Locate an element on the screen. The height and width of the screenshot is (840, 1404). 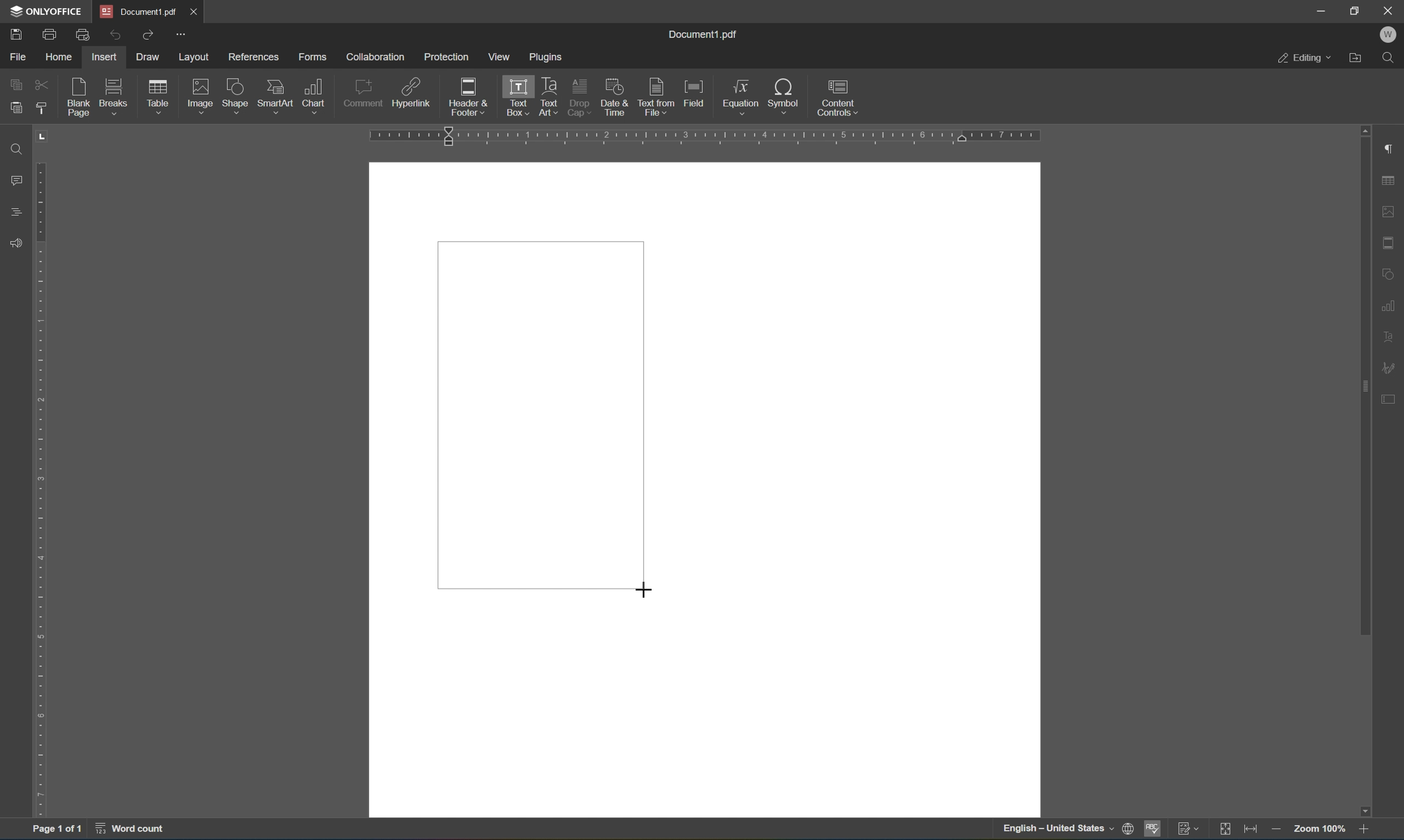
Header and footer settings is located at coordinates (1391, 242).